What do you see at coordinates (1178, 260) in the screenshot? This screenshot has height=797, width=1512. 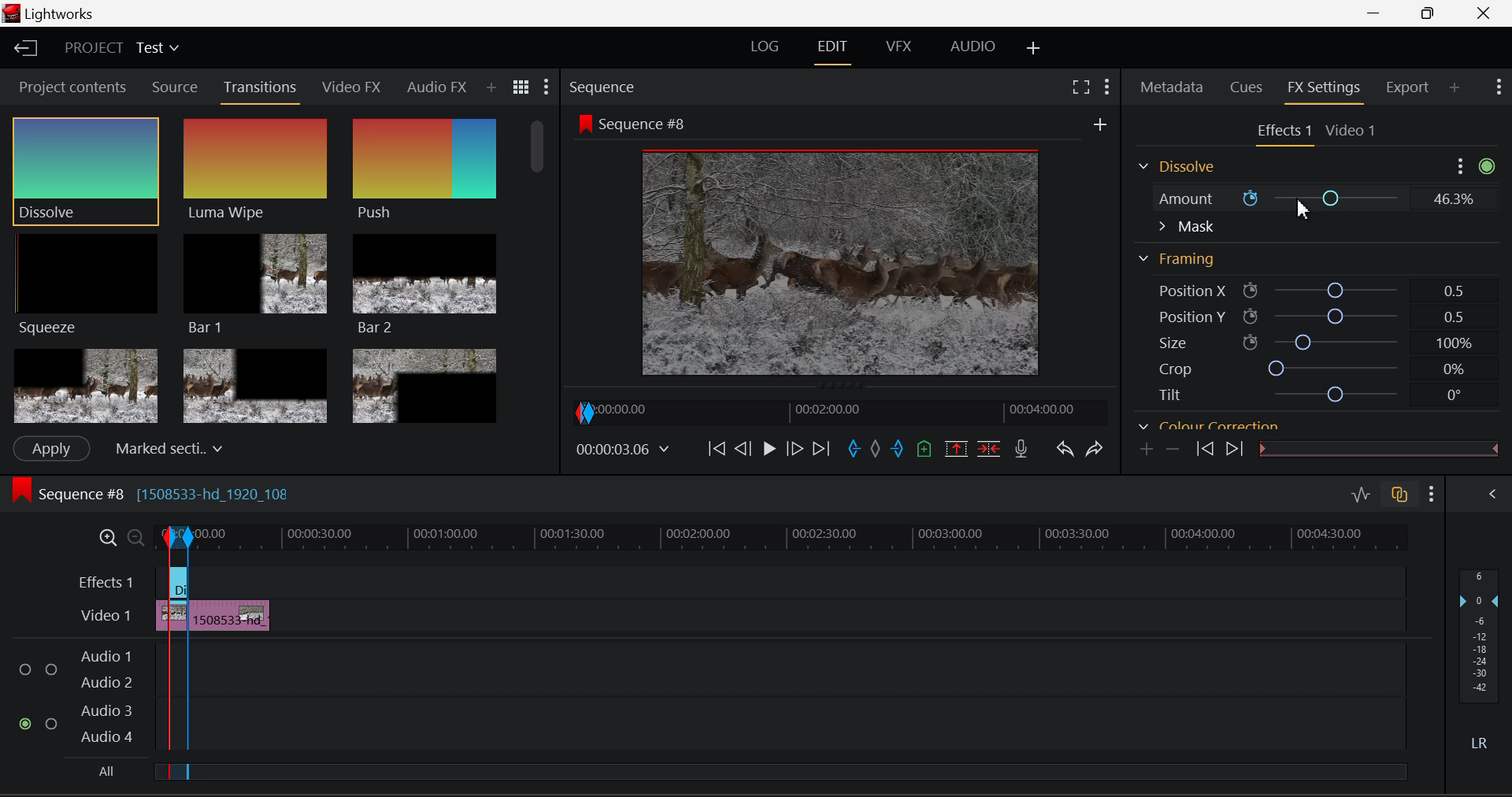 I see `Framing Section` at bounding box center [1178, 260].